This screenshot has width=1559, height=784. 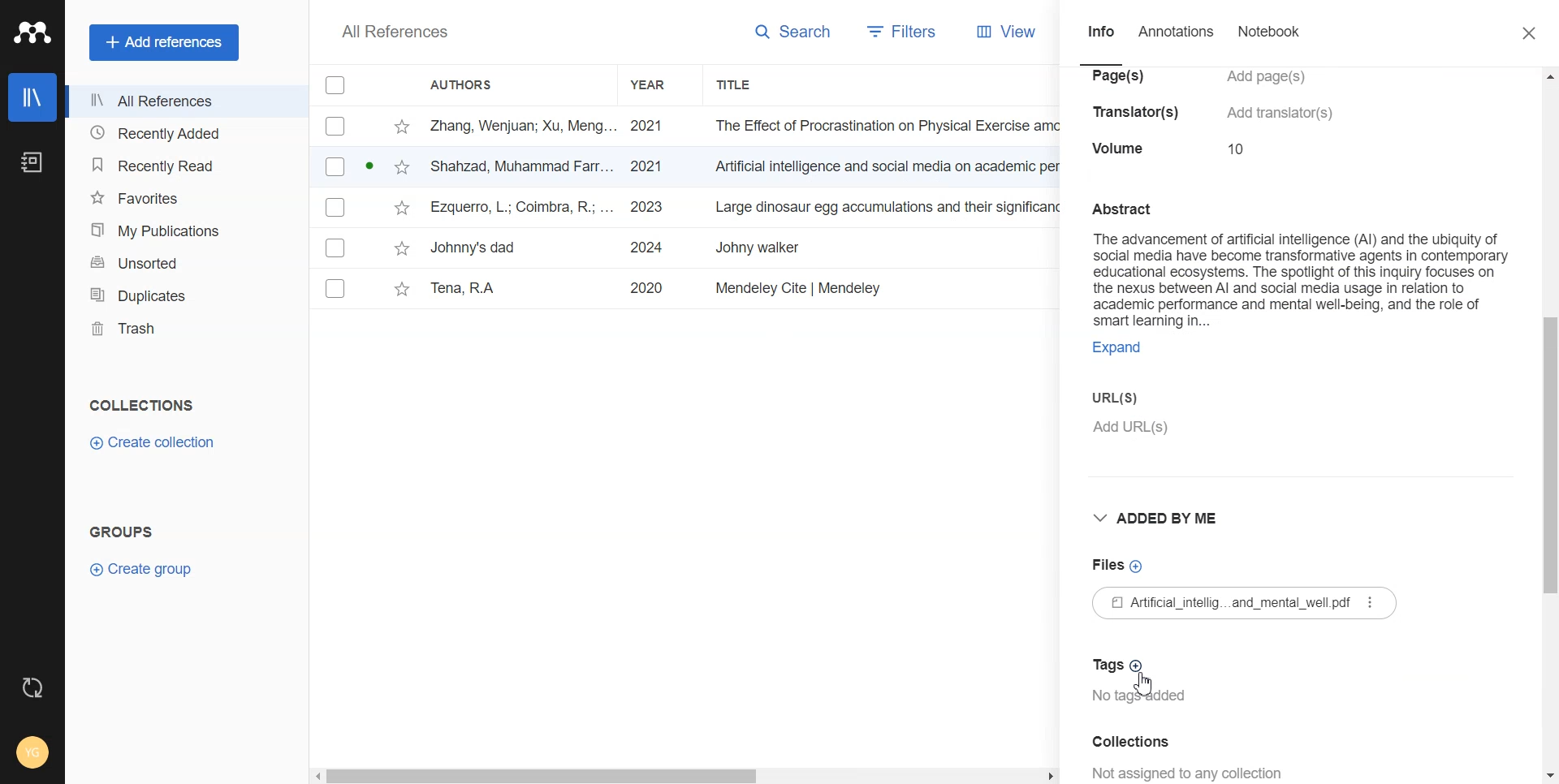 I want to click on Library, so click(x=33, y=97).